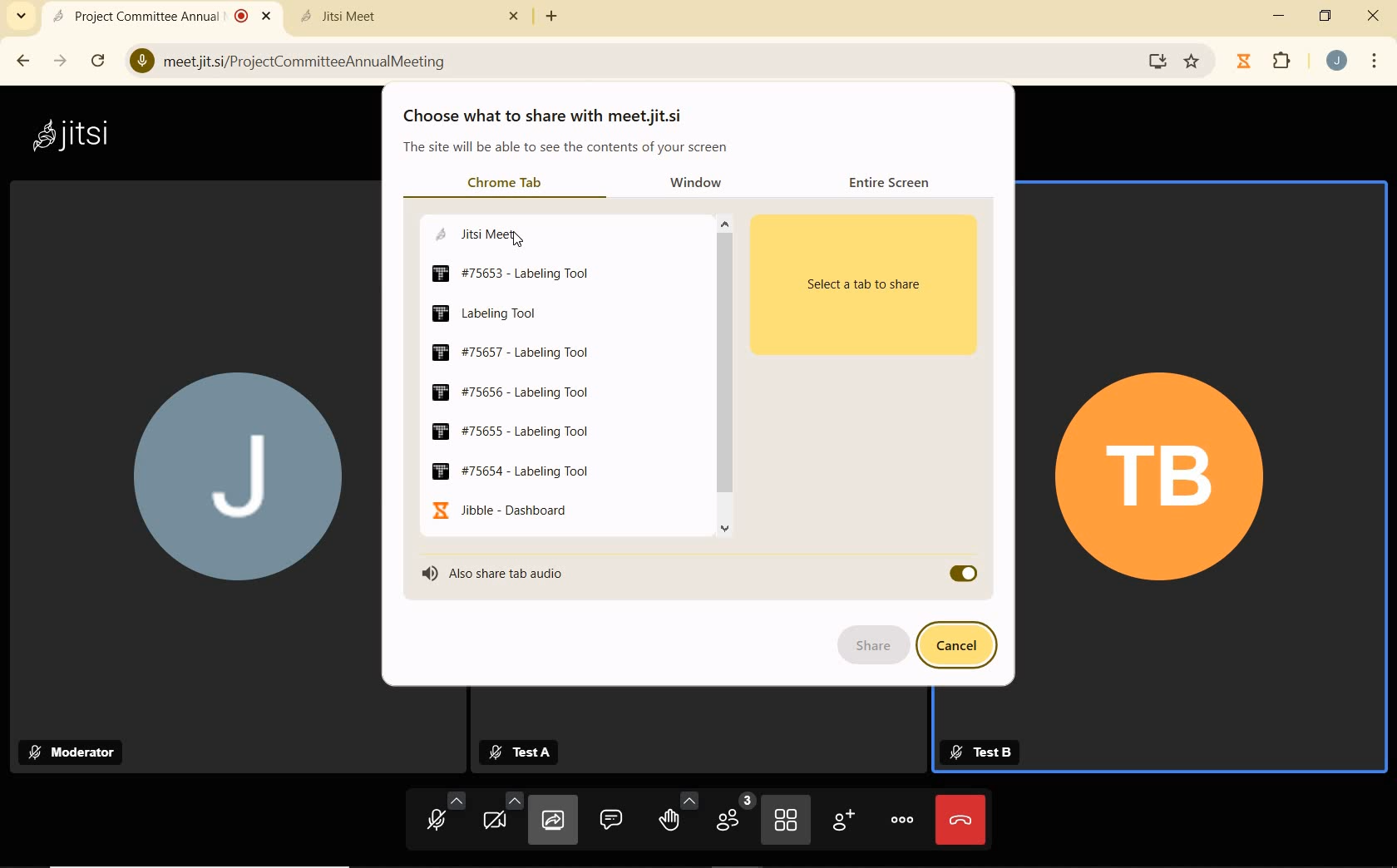  What do you see at coordinates (1267, 62) in the screenshot?
I see `EXTENSION` at bounding box center [1267, 62].